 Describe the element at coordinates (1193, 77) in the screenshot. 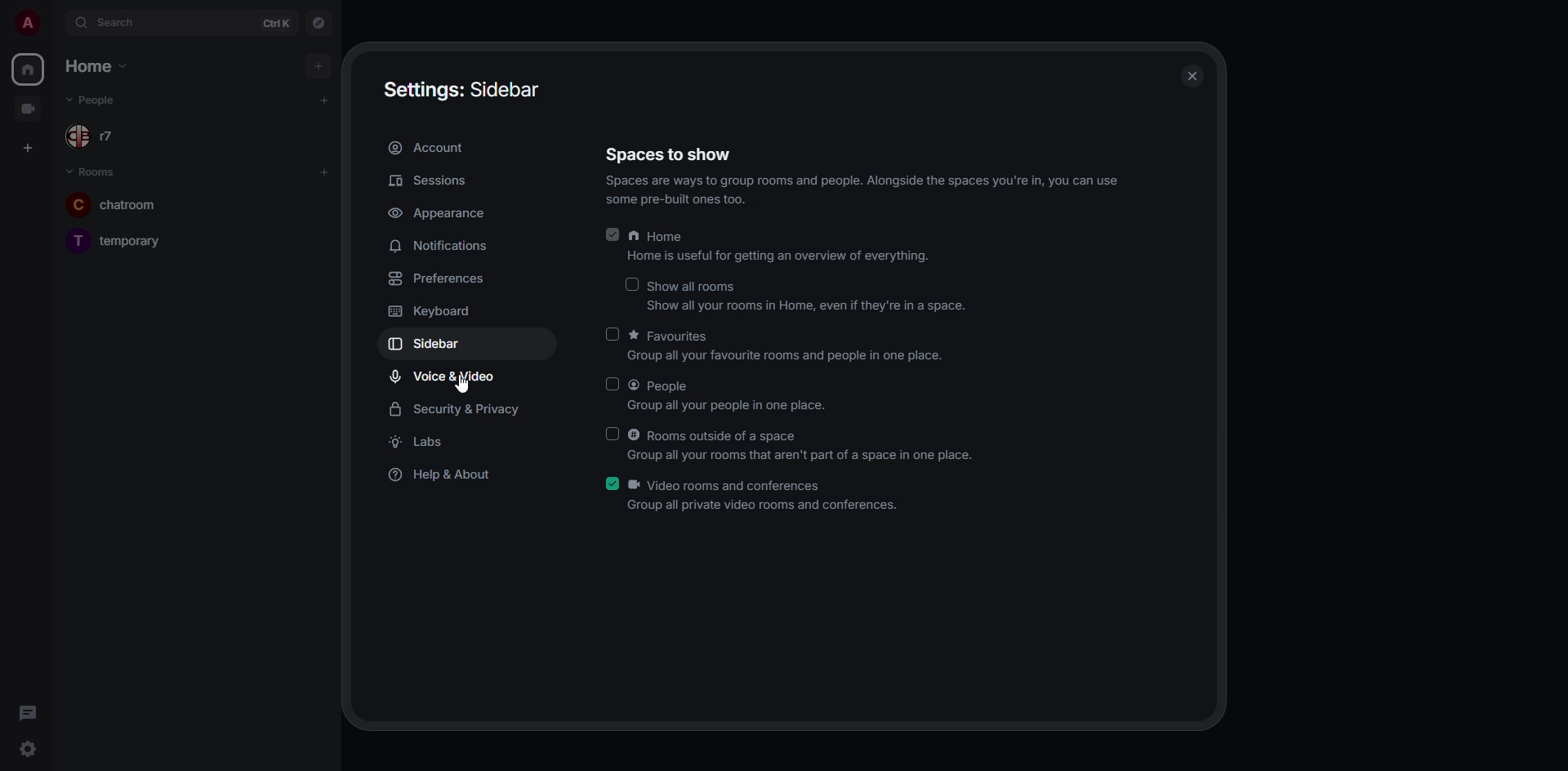

I see `close` at that location.